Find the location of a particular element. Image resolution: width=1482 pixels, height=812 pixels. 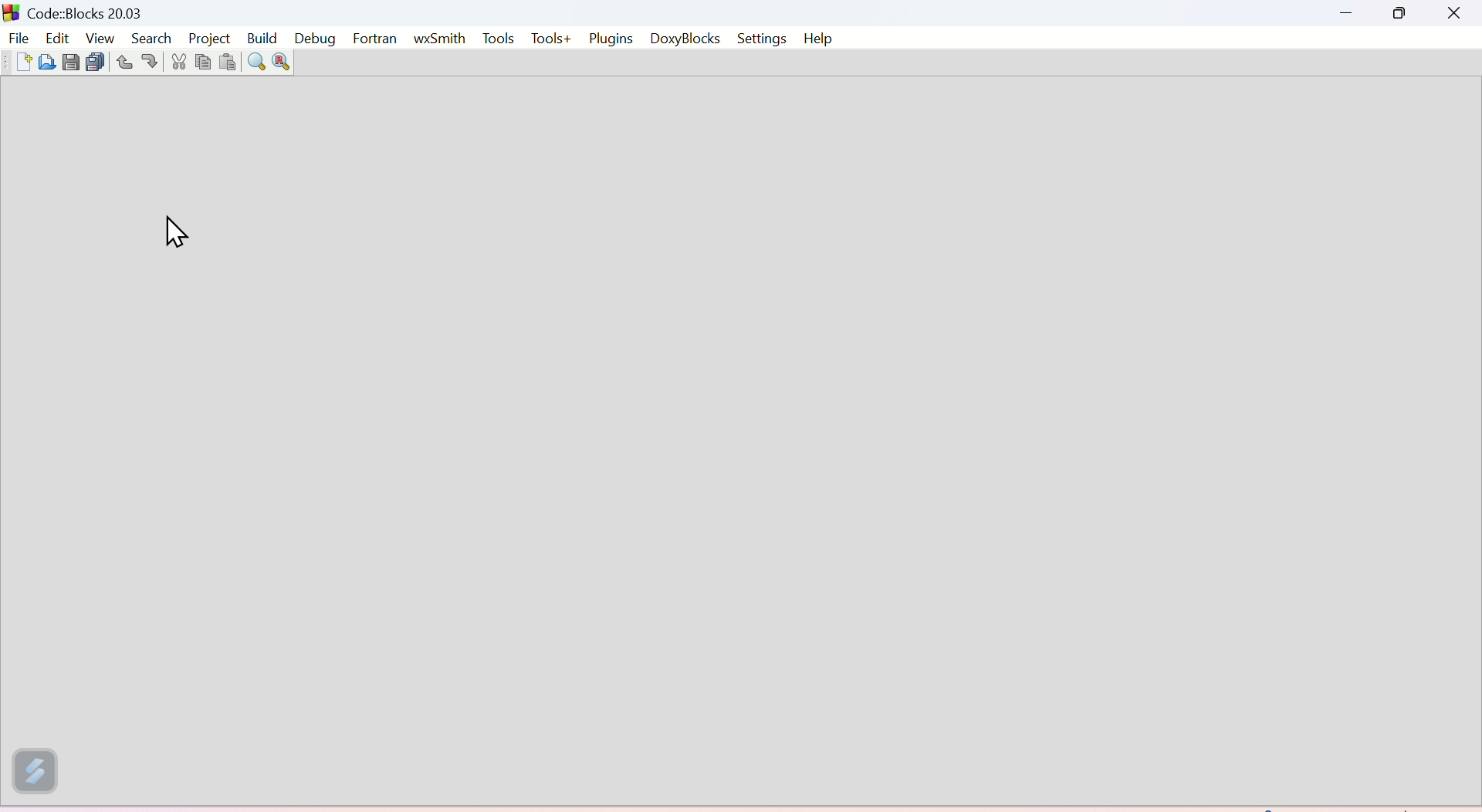

Status bar is located at coordinates (689, 806).